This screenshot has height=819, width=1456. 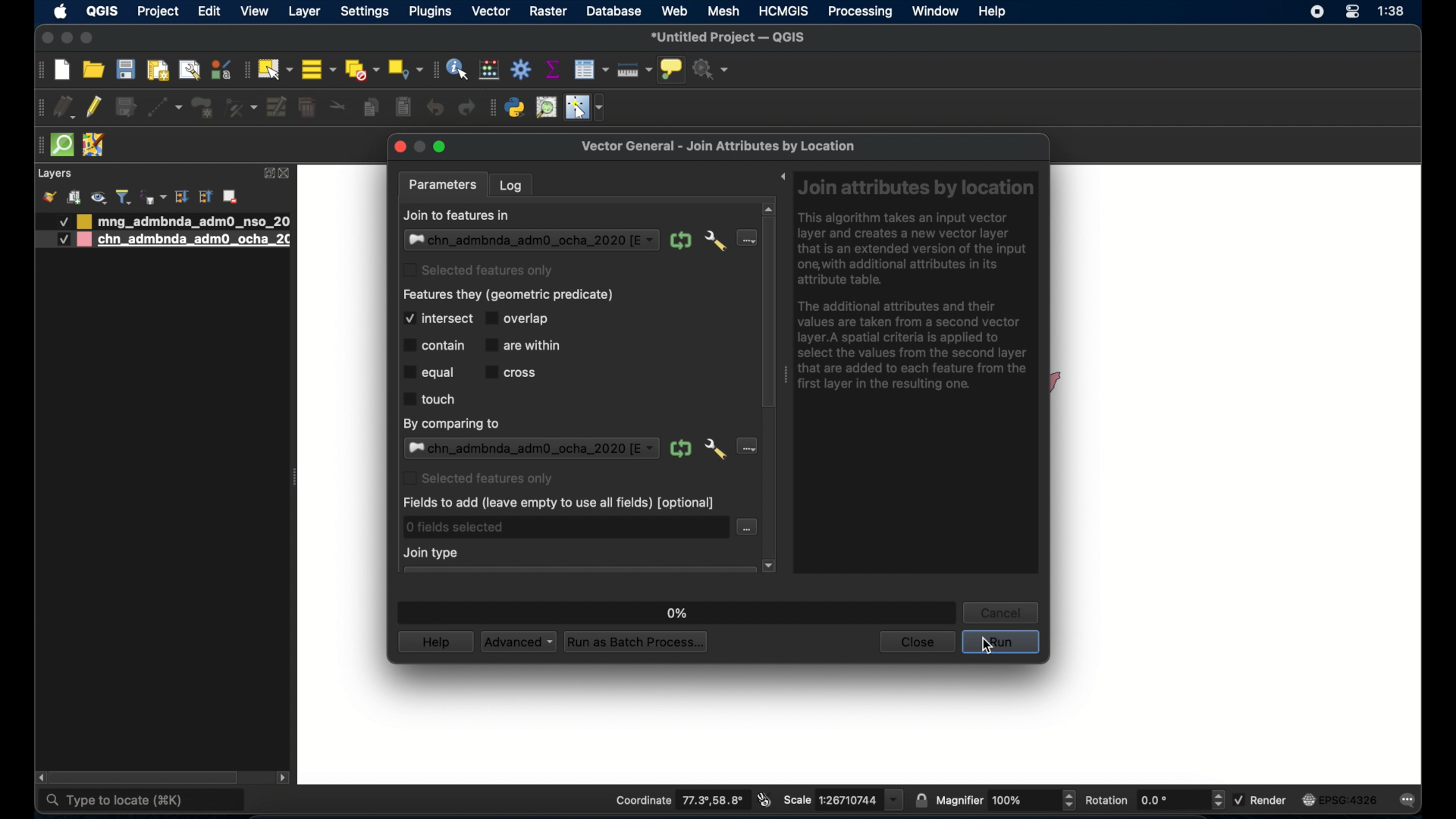 What do you see at coordinates (682, 240) in the screenshot?
I see `iterate over this layer` at bounding box center [682, 240].